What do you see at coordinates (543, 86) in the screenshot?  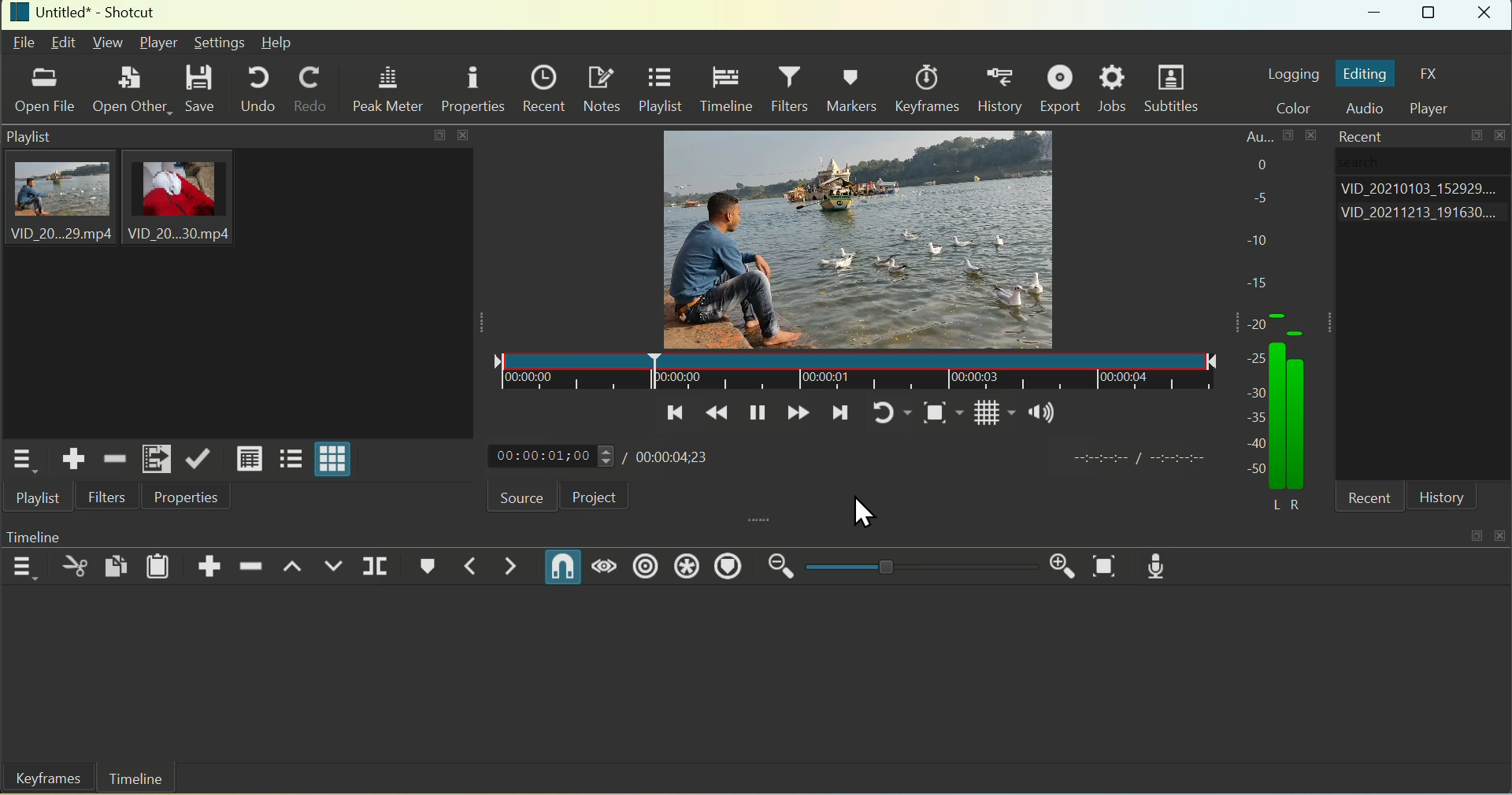 I see `Recent` at bounding box center [543, 86].